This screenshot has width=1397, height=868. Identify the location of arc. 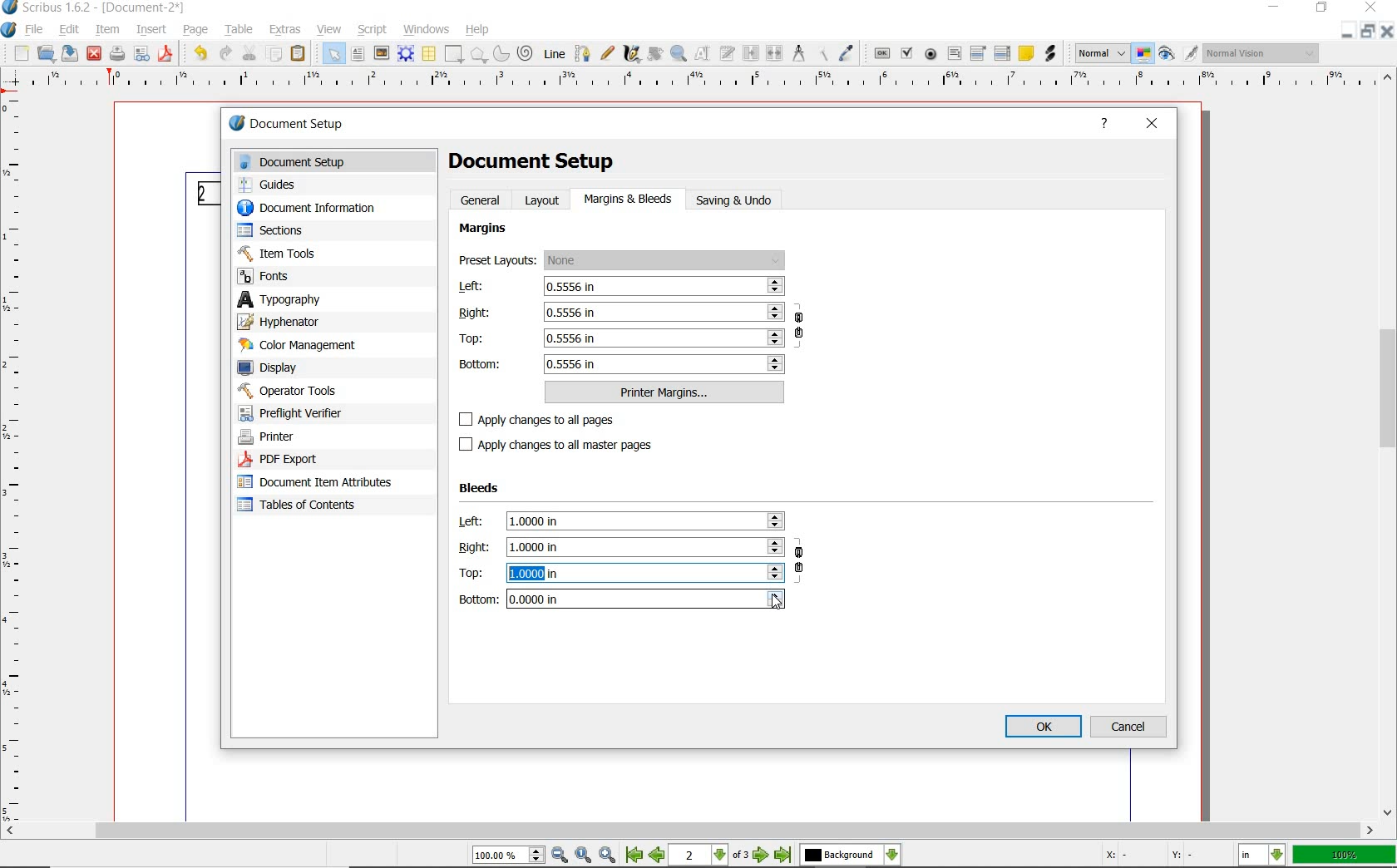
(501, 55).